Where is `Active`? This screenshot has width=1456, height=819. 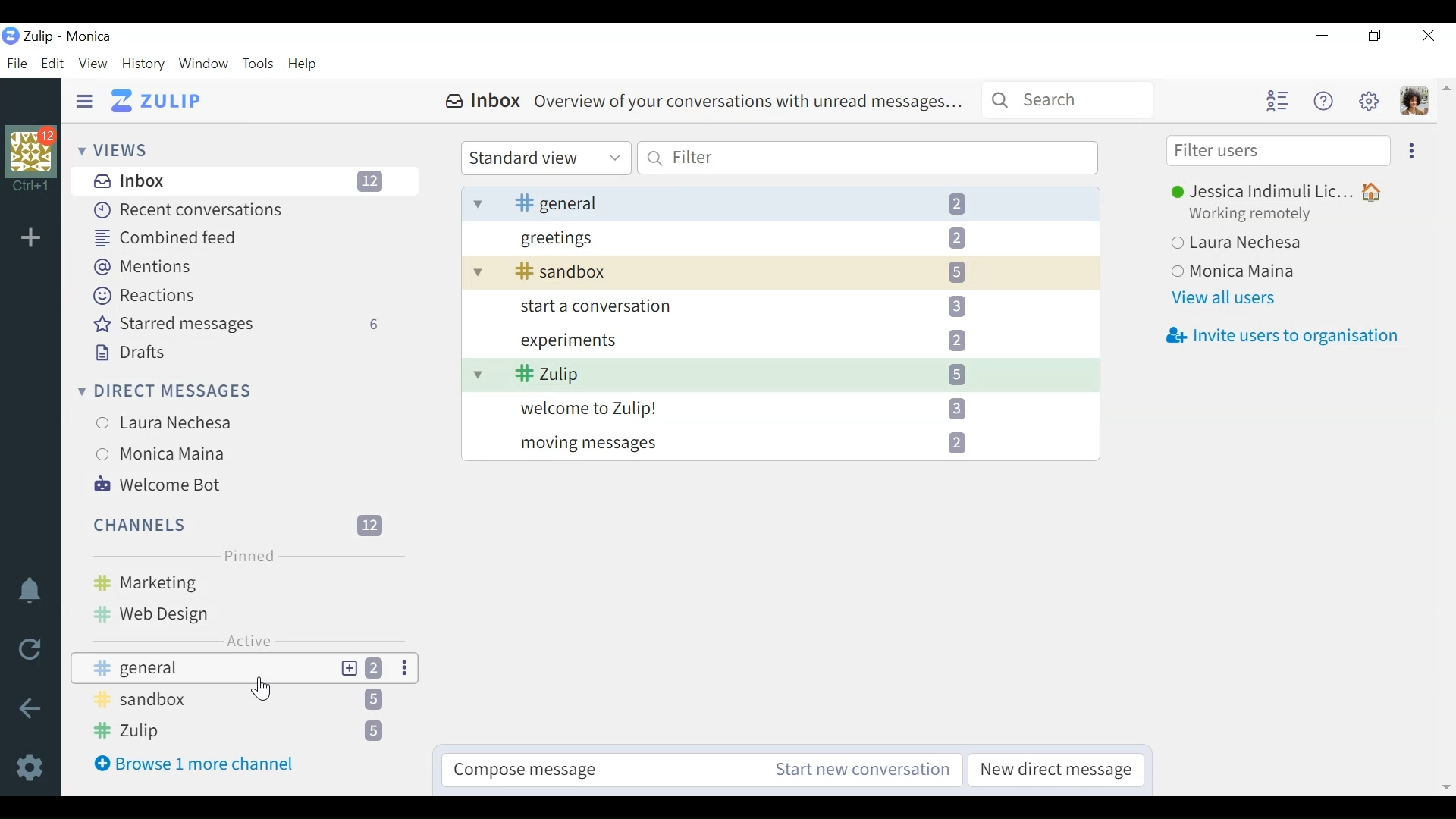 Active is located at coordinates (249, 640).